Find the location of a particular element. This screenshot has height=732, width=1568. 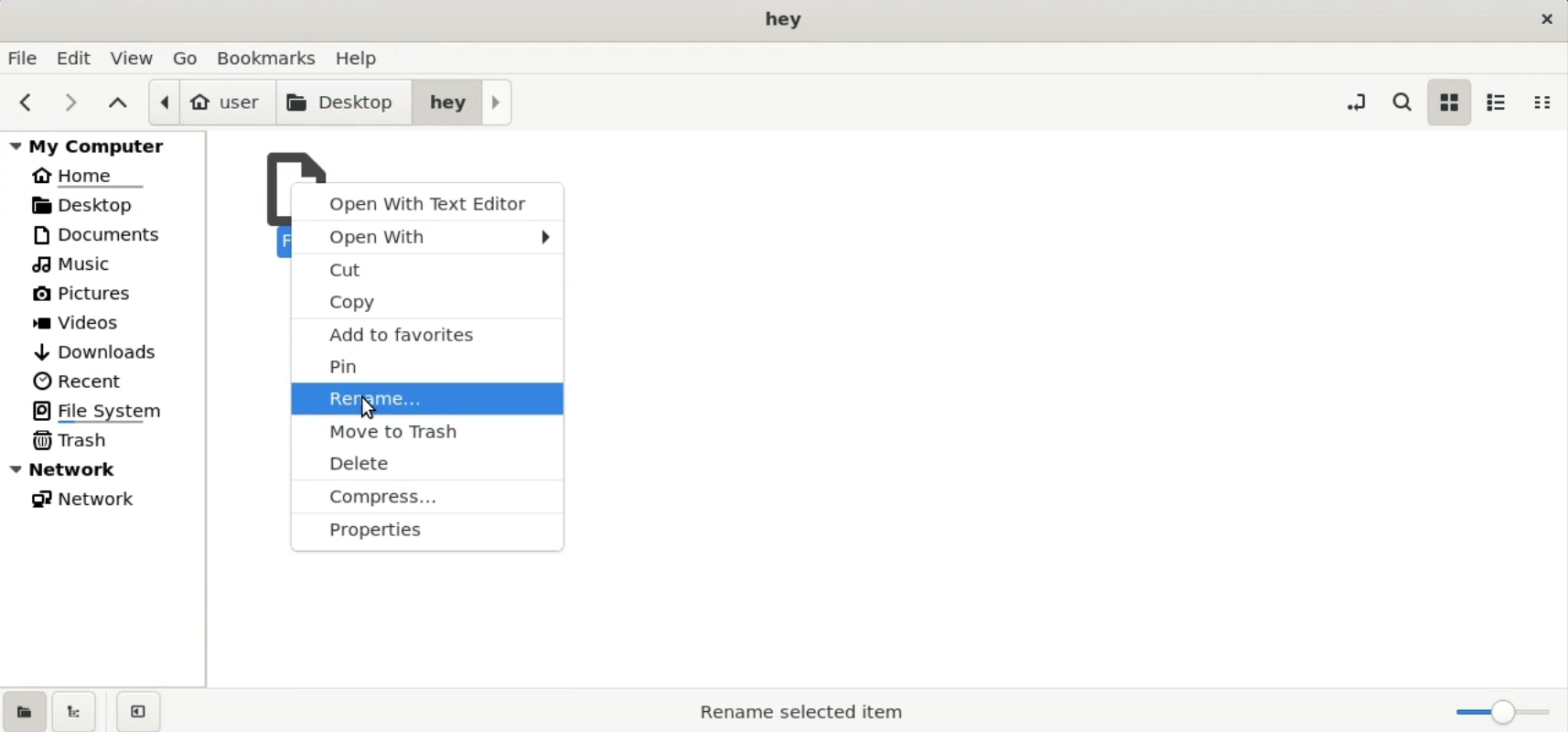

description is located at coordinates (788, 710).